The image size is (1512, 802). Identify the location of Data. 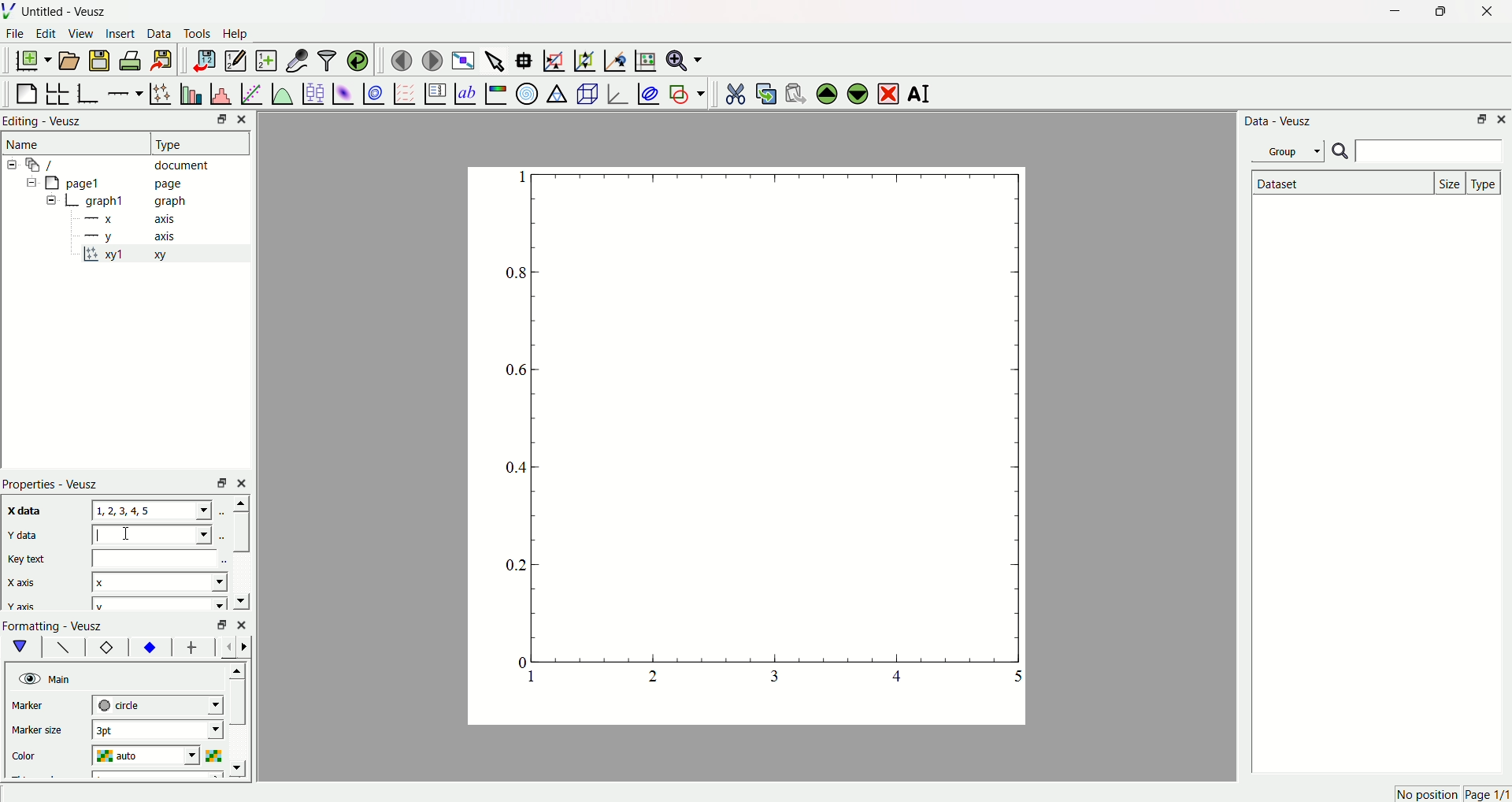
(160, 35).